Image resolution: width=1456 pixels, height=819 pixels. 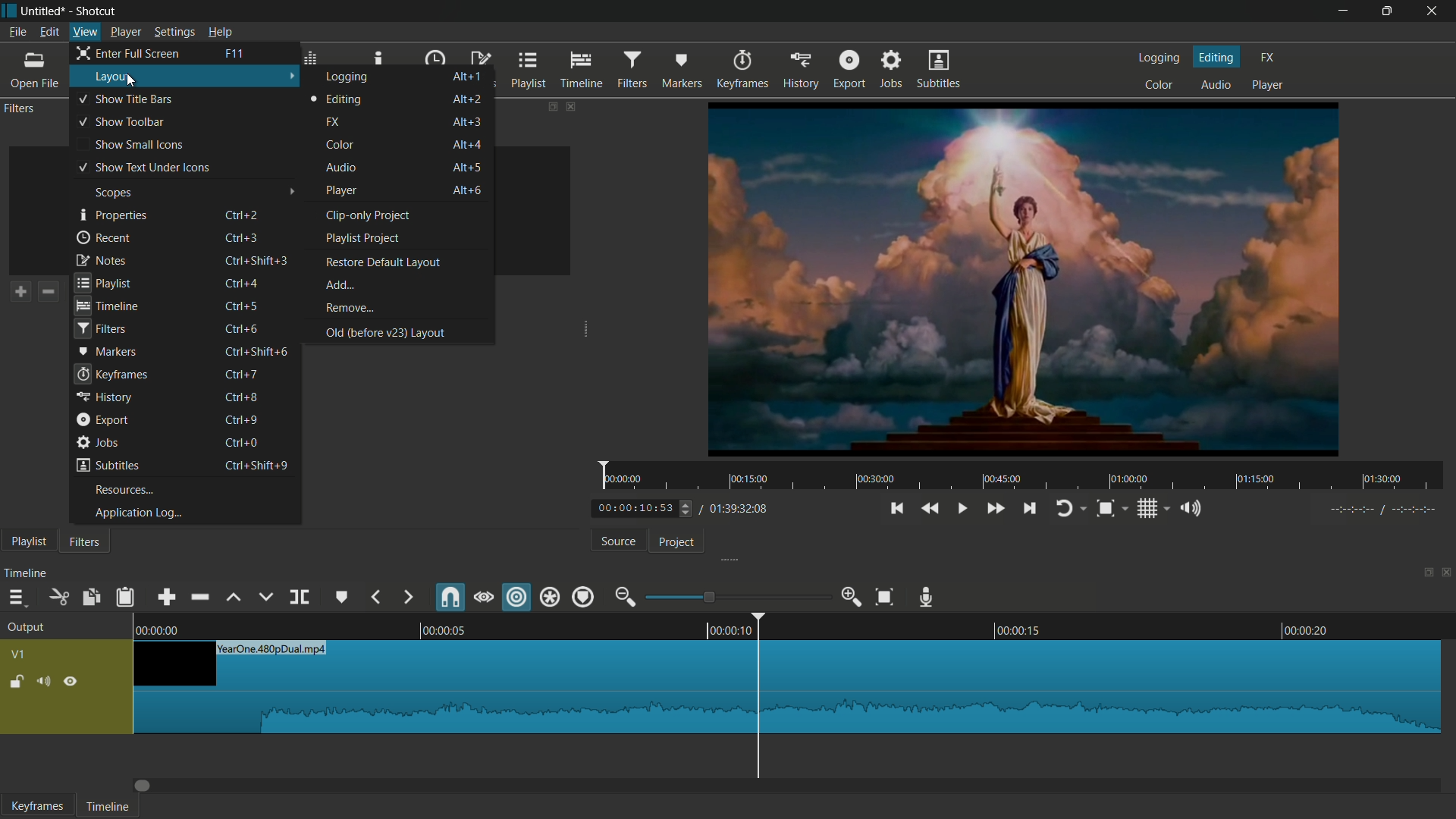 What do you see at coordinates (529, 71) in the screenshot?
I see `playlist` at bounding box center [529, 71].